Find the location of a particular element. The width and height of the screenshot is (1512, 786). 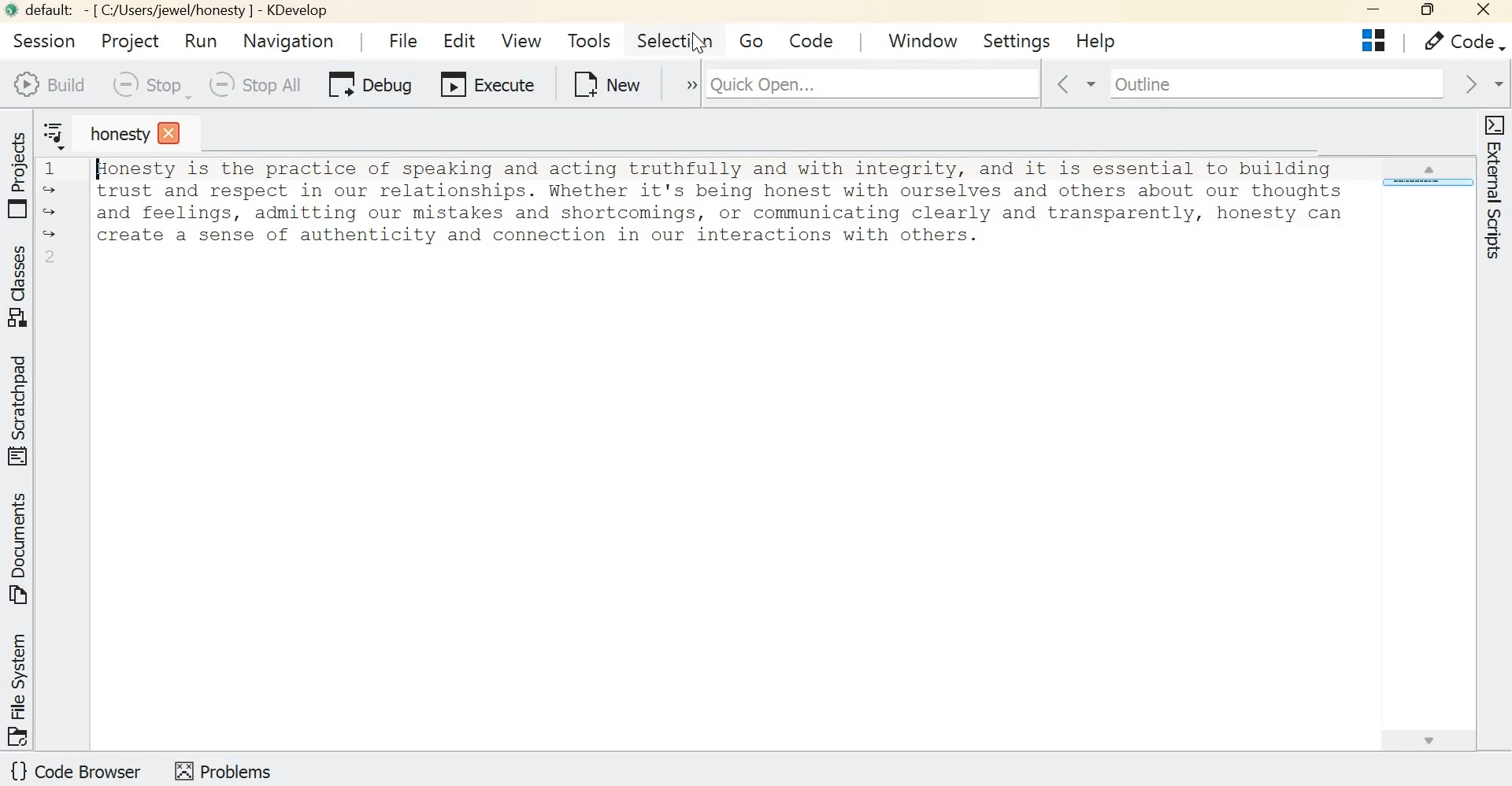

Split Editor is located at coordinates (1373, 40).